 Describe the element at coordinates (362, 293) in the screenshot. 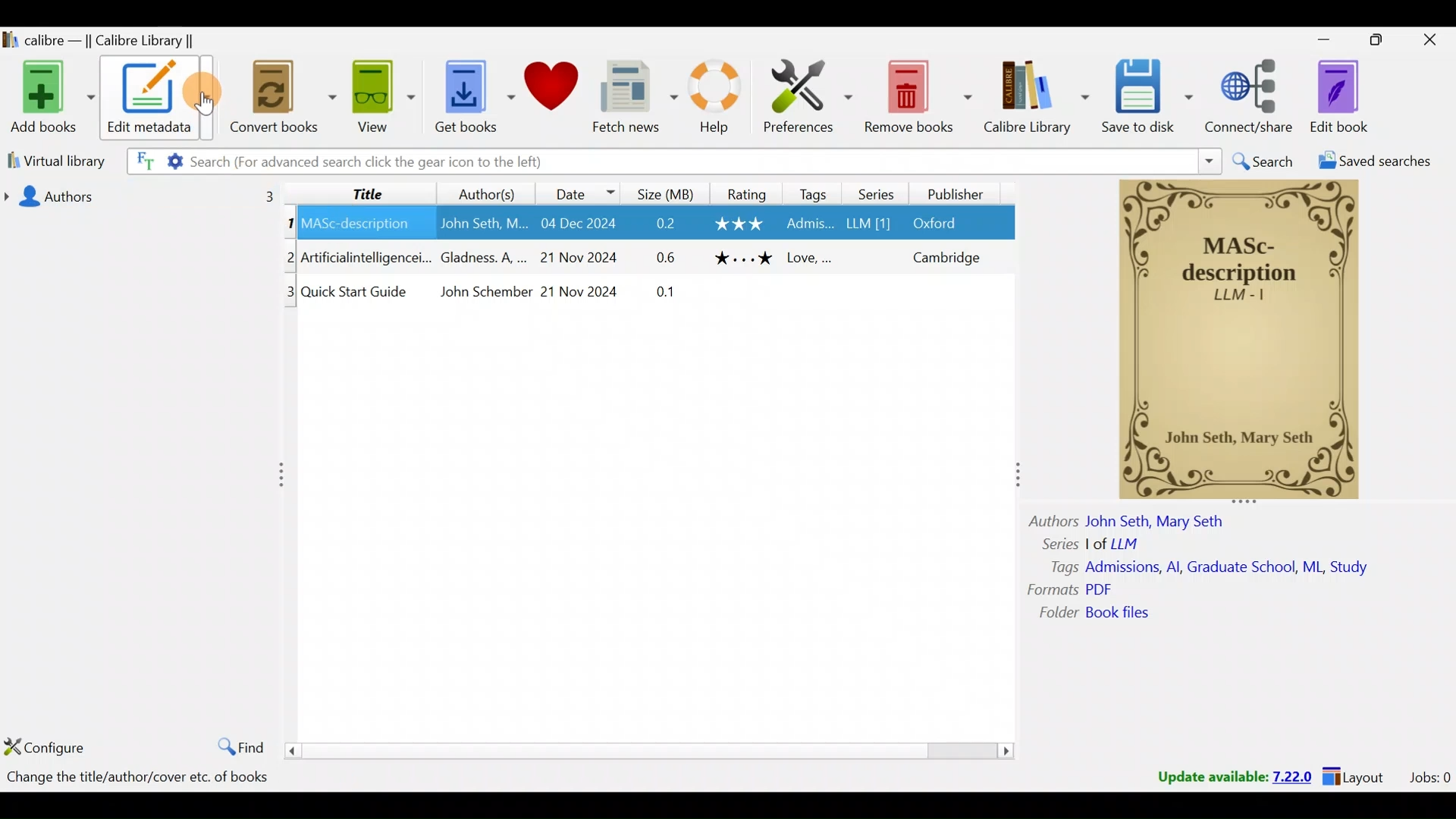

I see `` at that location.